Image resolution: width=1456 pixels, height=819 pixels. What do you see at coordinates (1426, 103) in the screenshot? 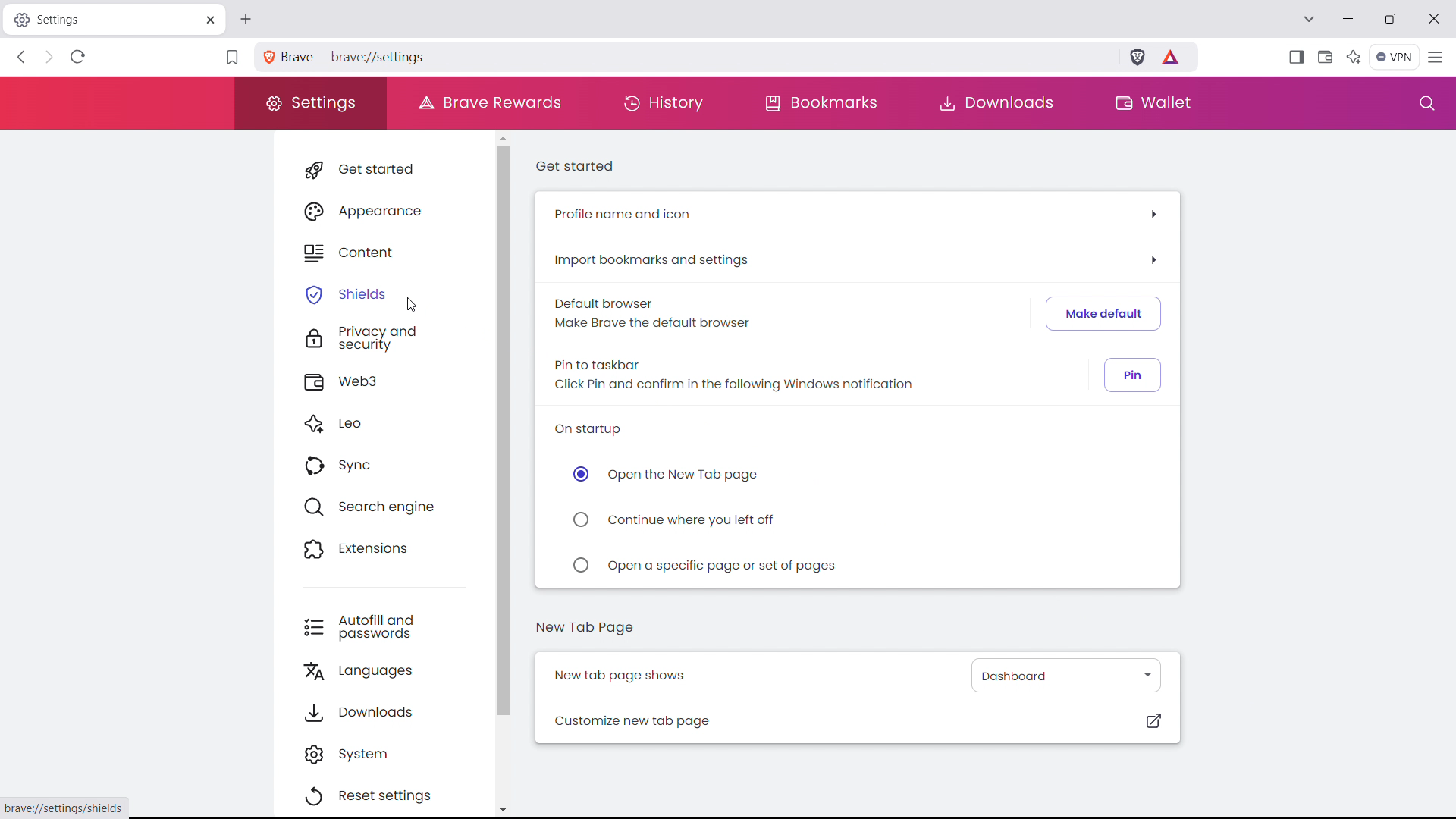
I see `search` at bounding box center [1426, 103].